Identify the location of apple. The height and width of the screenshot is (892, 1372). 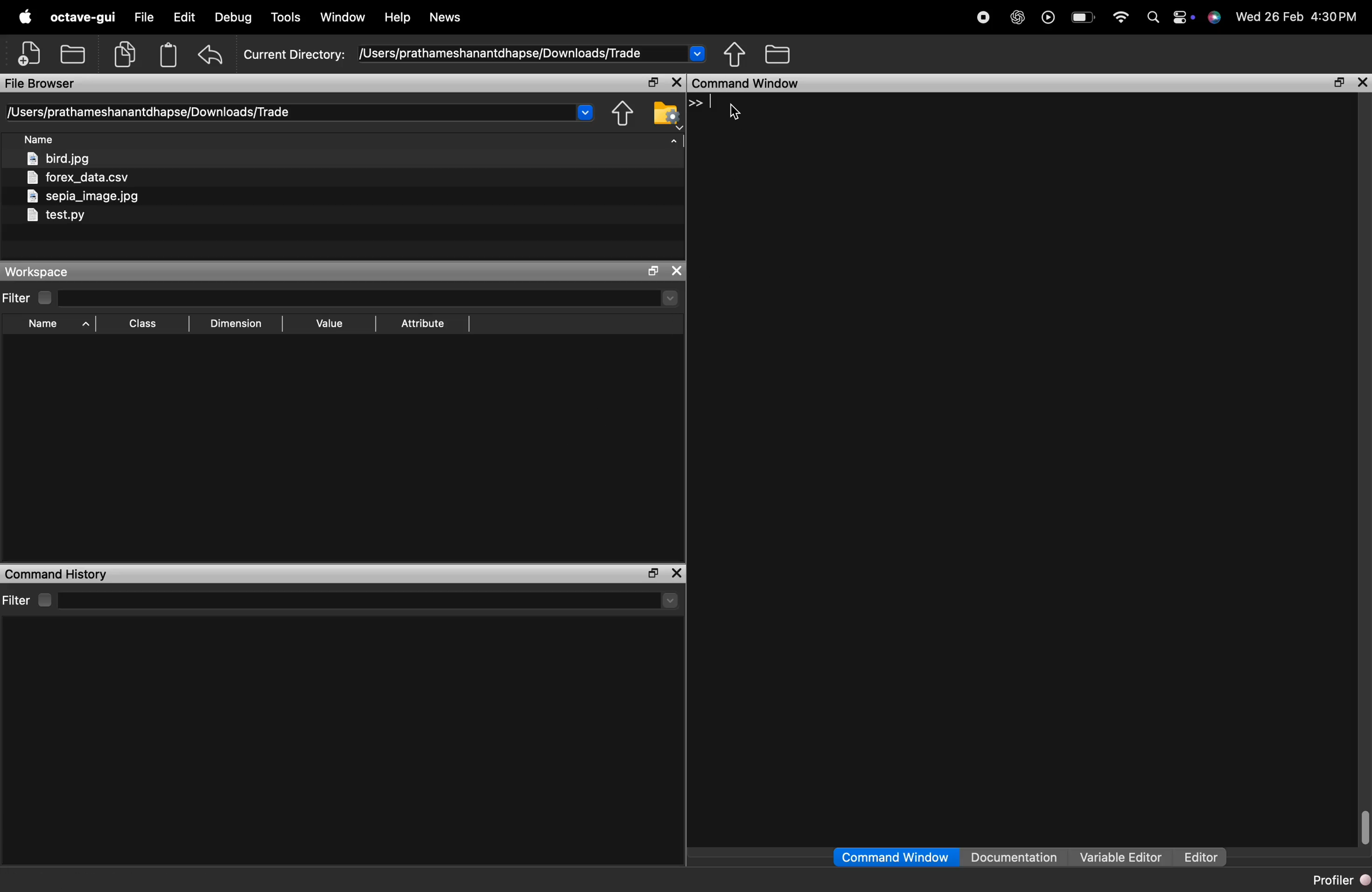
(24, 16).